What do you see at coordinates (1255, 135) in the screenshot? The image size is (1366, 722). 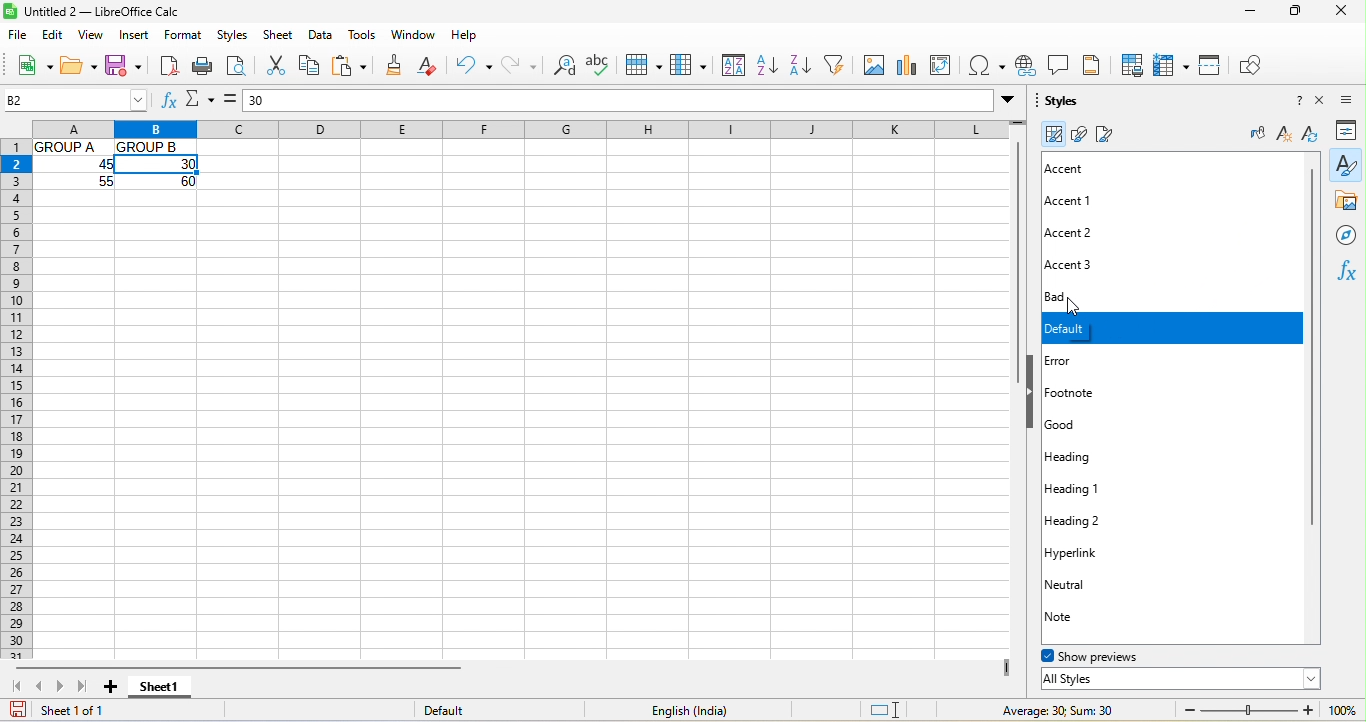 I see `fill format` at bounding box center [1255, 135].